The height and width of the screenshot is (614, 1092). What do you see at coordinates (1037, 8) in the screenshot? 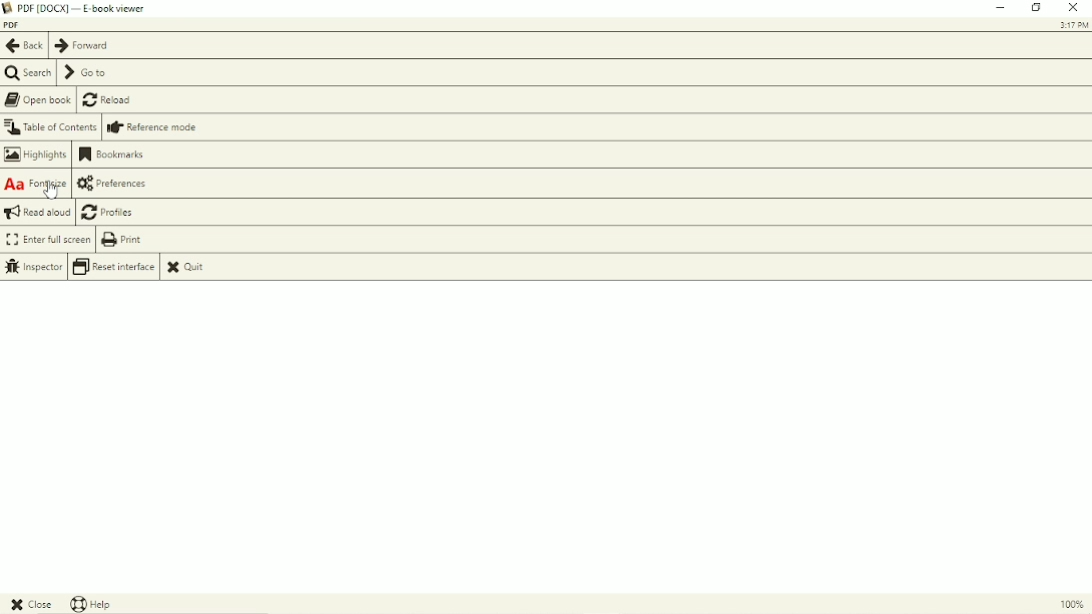
I see `Restore down` at bounding box center [1037, 8].